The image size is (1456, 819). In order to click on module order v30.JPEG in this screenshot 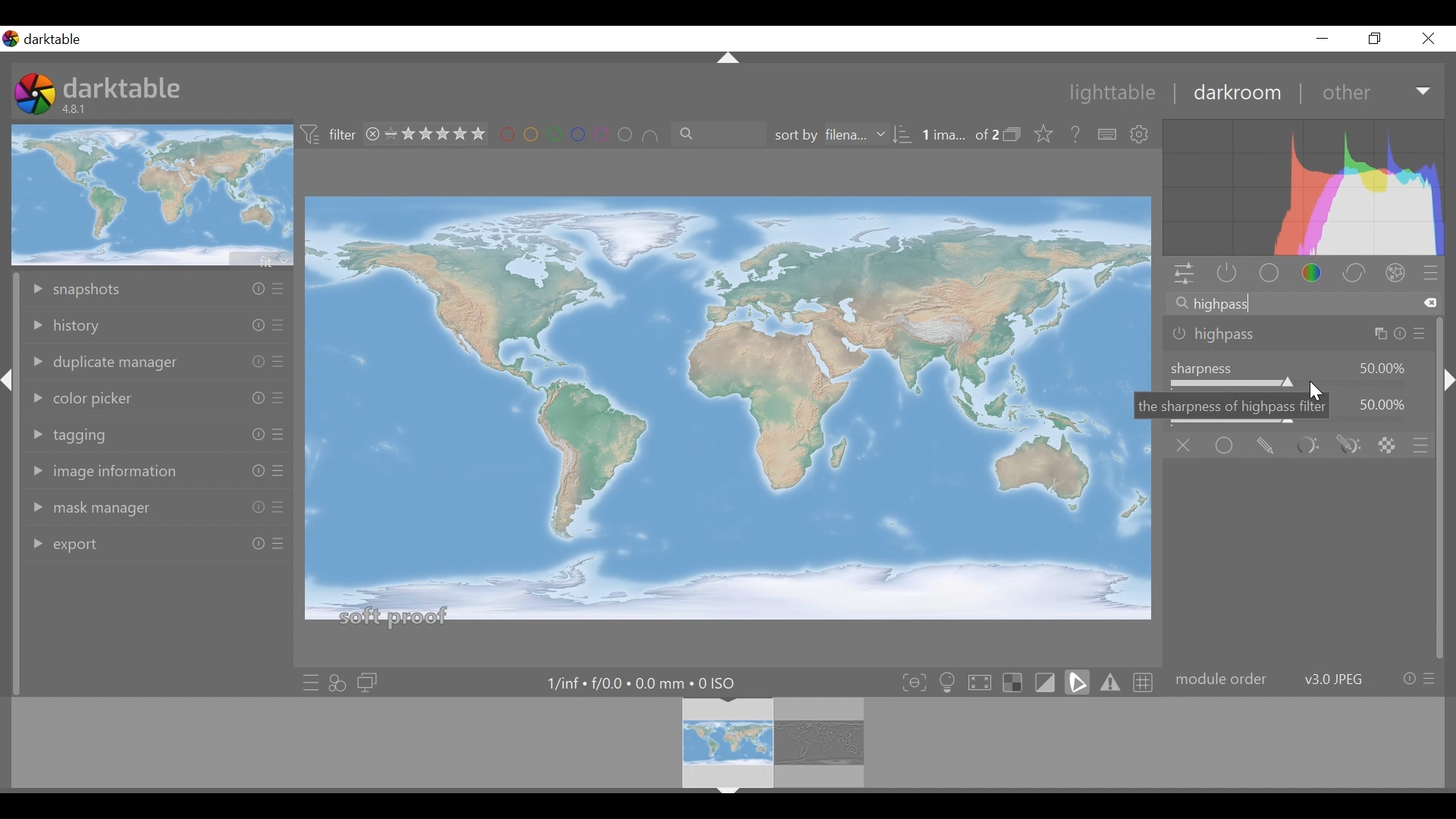, I will do `click(1307, 681)`.